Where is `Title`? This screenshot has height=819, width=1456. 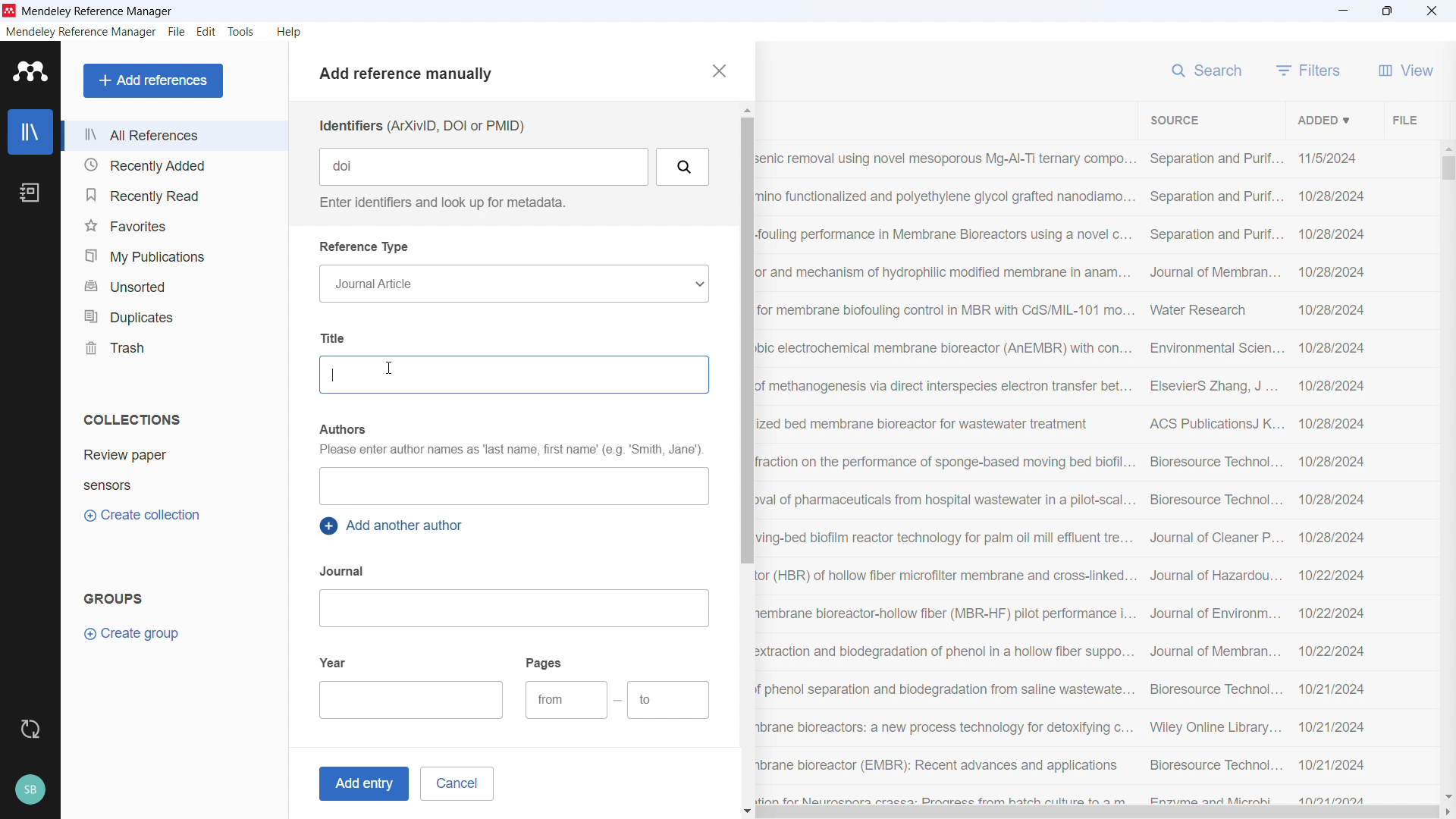
Title is located at coordinates (336, 337).